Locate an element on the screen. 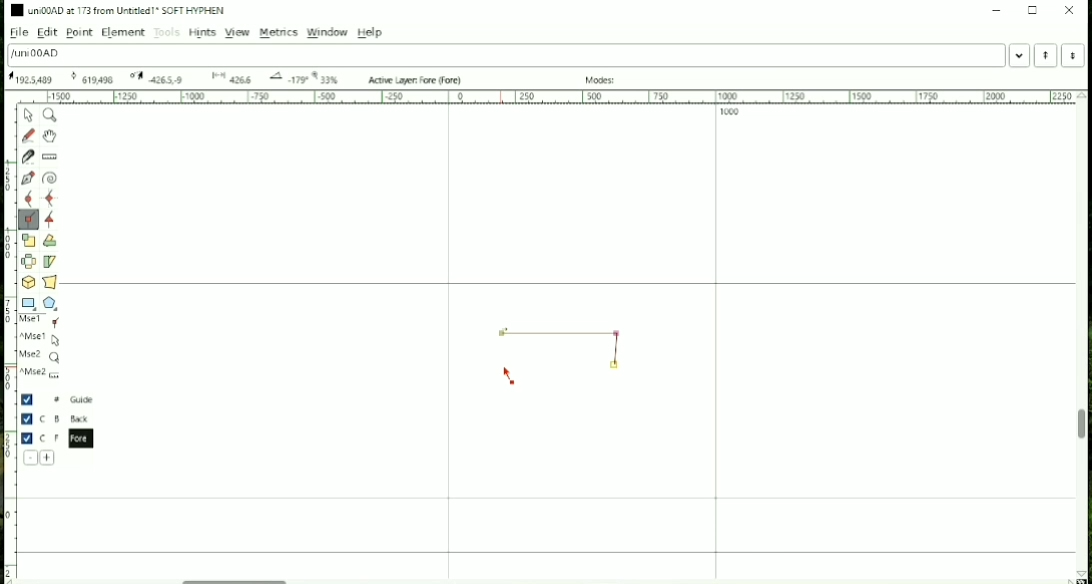  Rotate the selection in 3D and project back to plane is located at coordinates (28, 282).